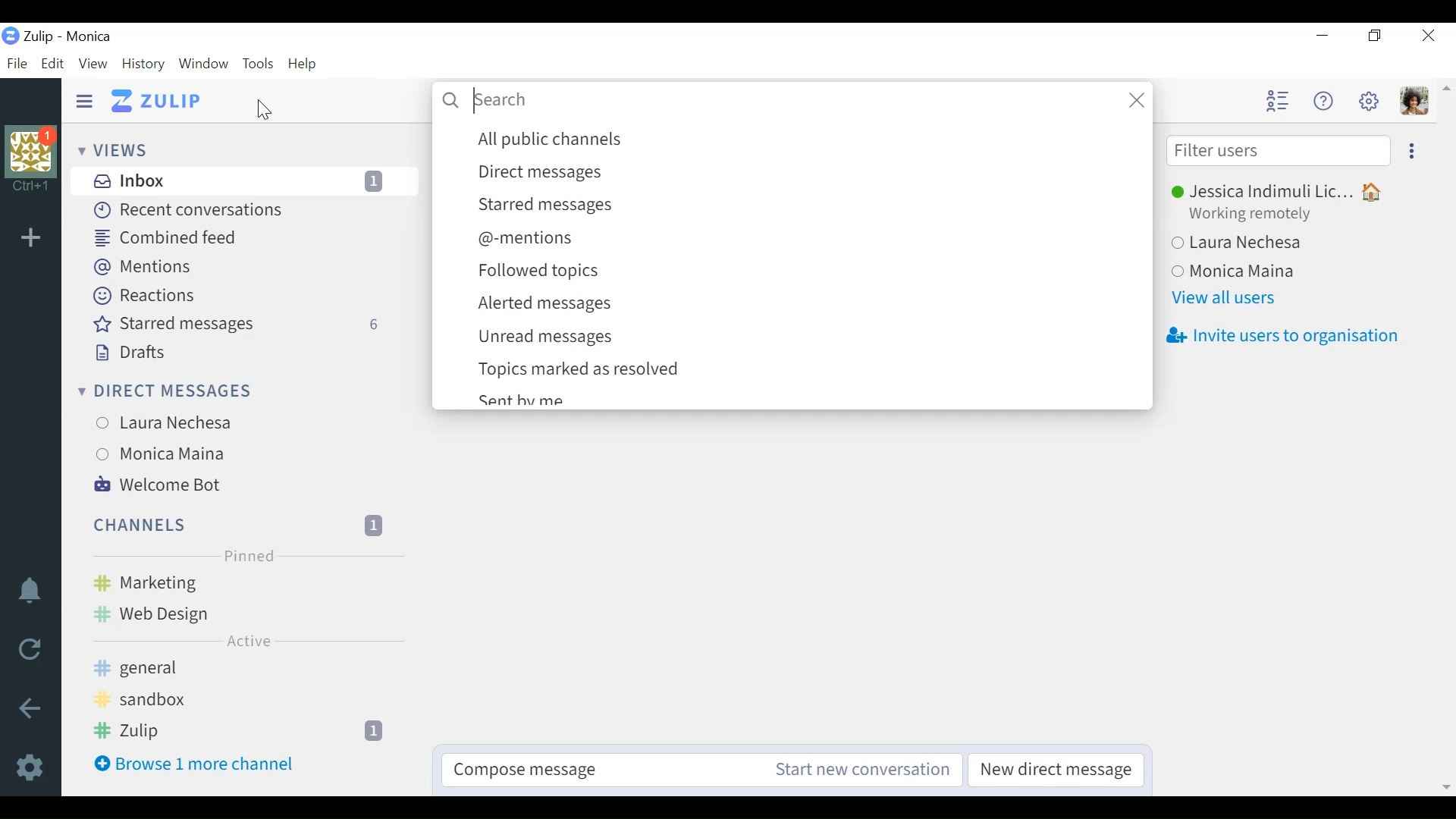 The width and height of the screenshot is (1456, 819). I want to click on Help, so click(1326, 99).